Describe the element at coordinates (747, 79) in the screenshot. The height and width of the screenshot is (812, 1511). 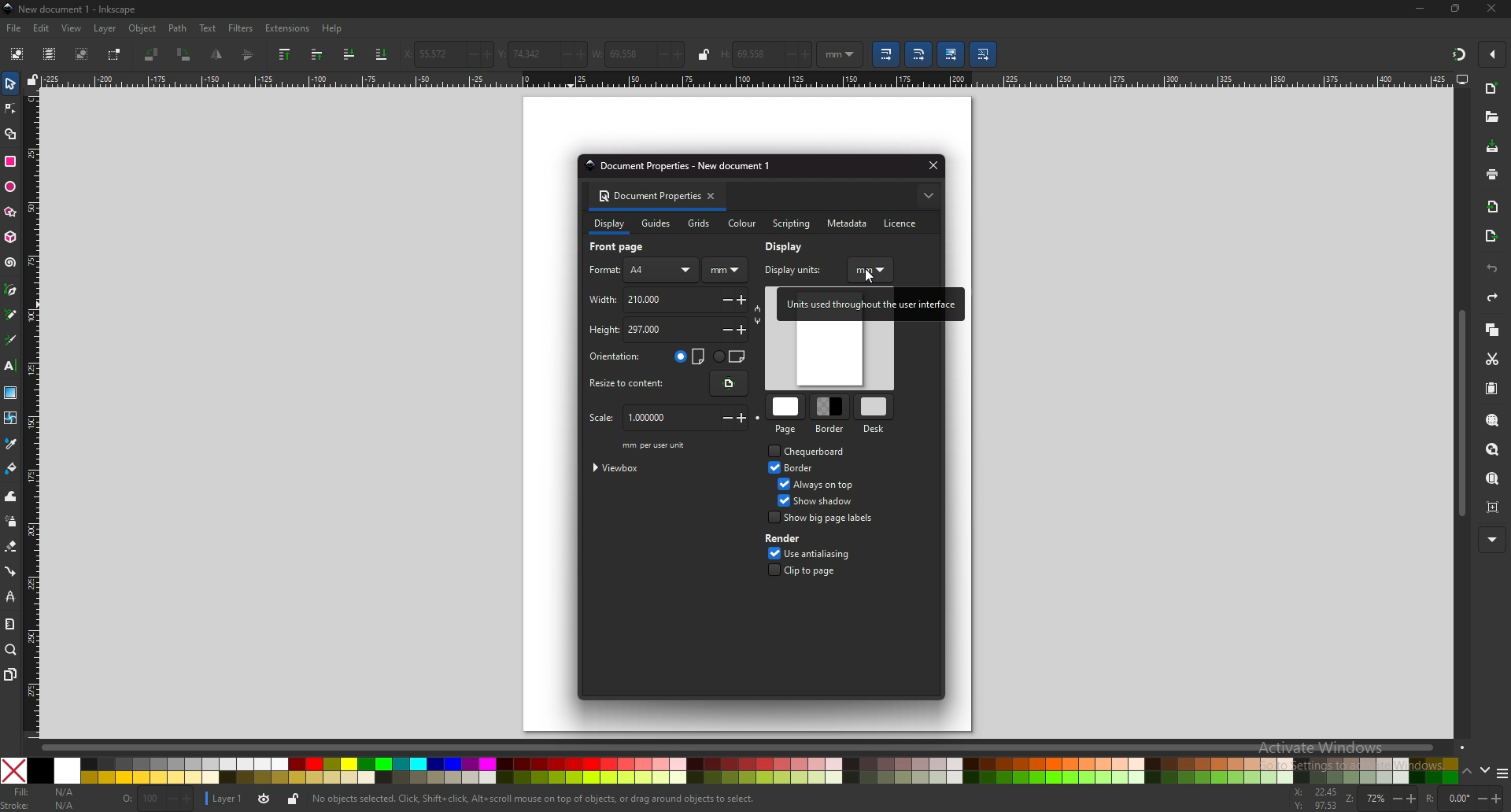
I see `horizontal ruler` at that location.